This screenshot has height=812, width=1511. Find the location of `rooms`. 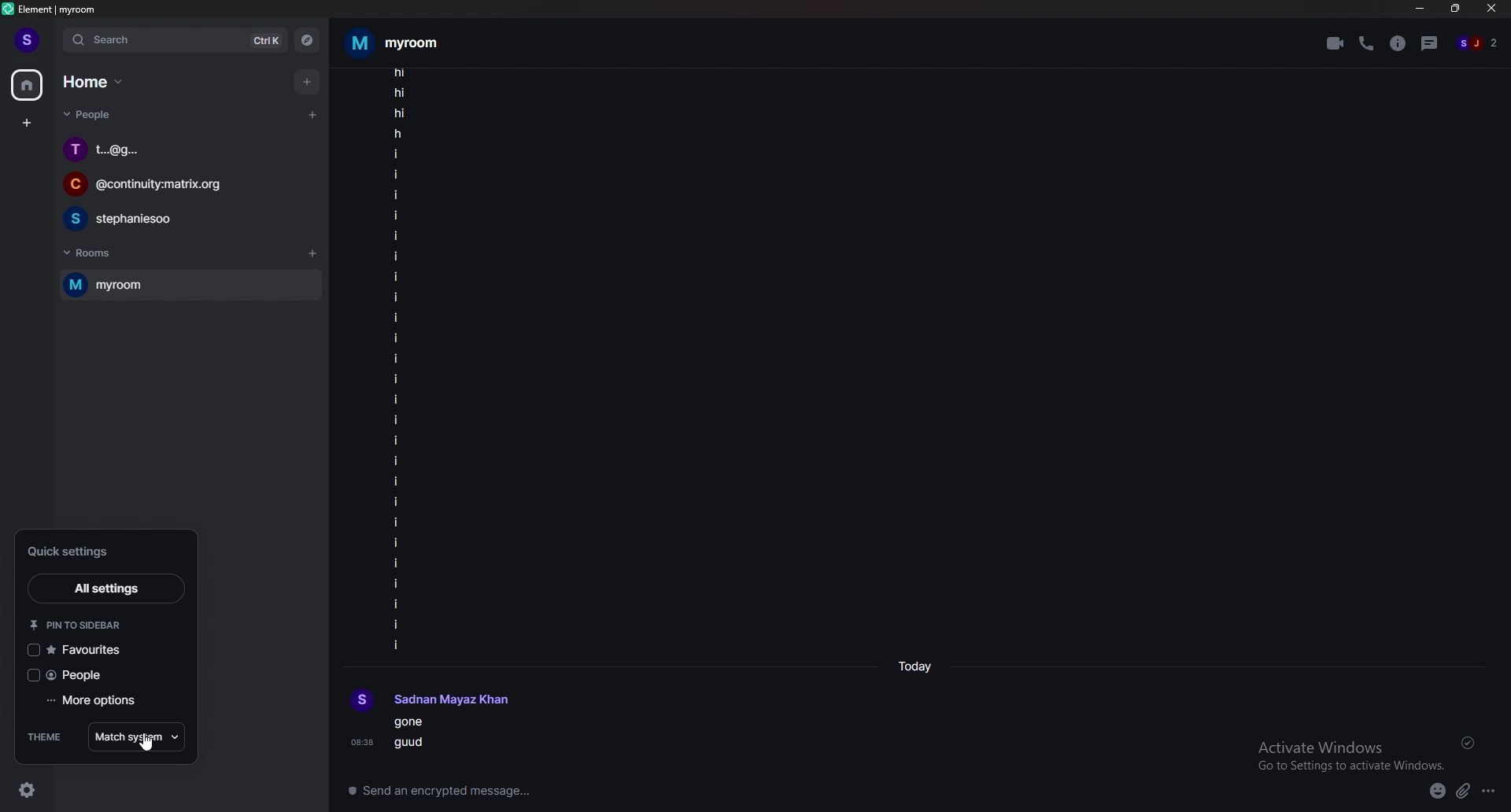

rooms is located at coordinates (95, 254).